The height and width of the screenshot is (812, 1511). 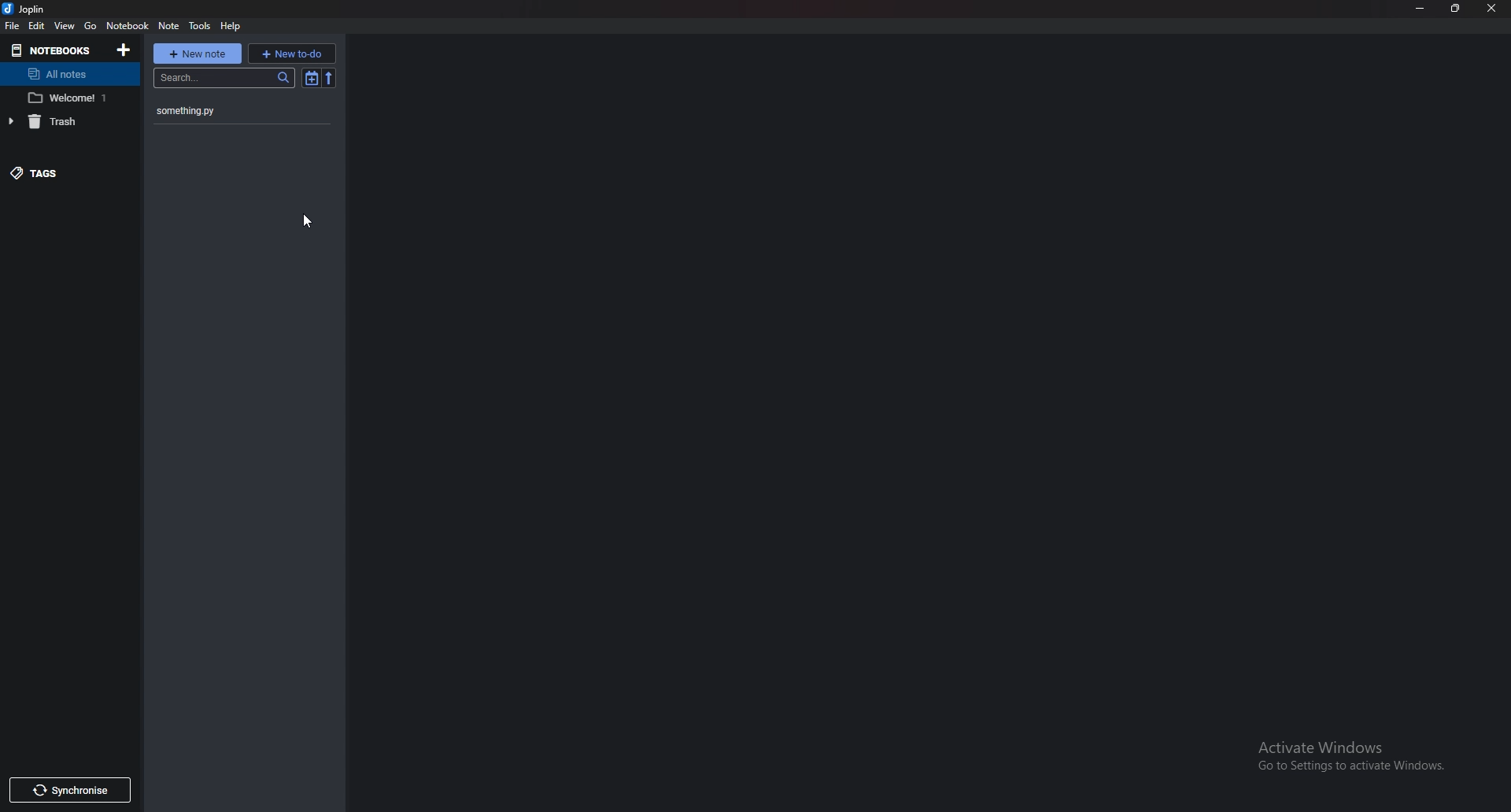 What do you see at coordinates (169, 26) in the screenshot?
I see `Note` at bounding box center [169, 26].